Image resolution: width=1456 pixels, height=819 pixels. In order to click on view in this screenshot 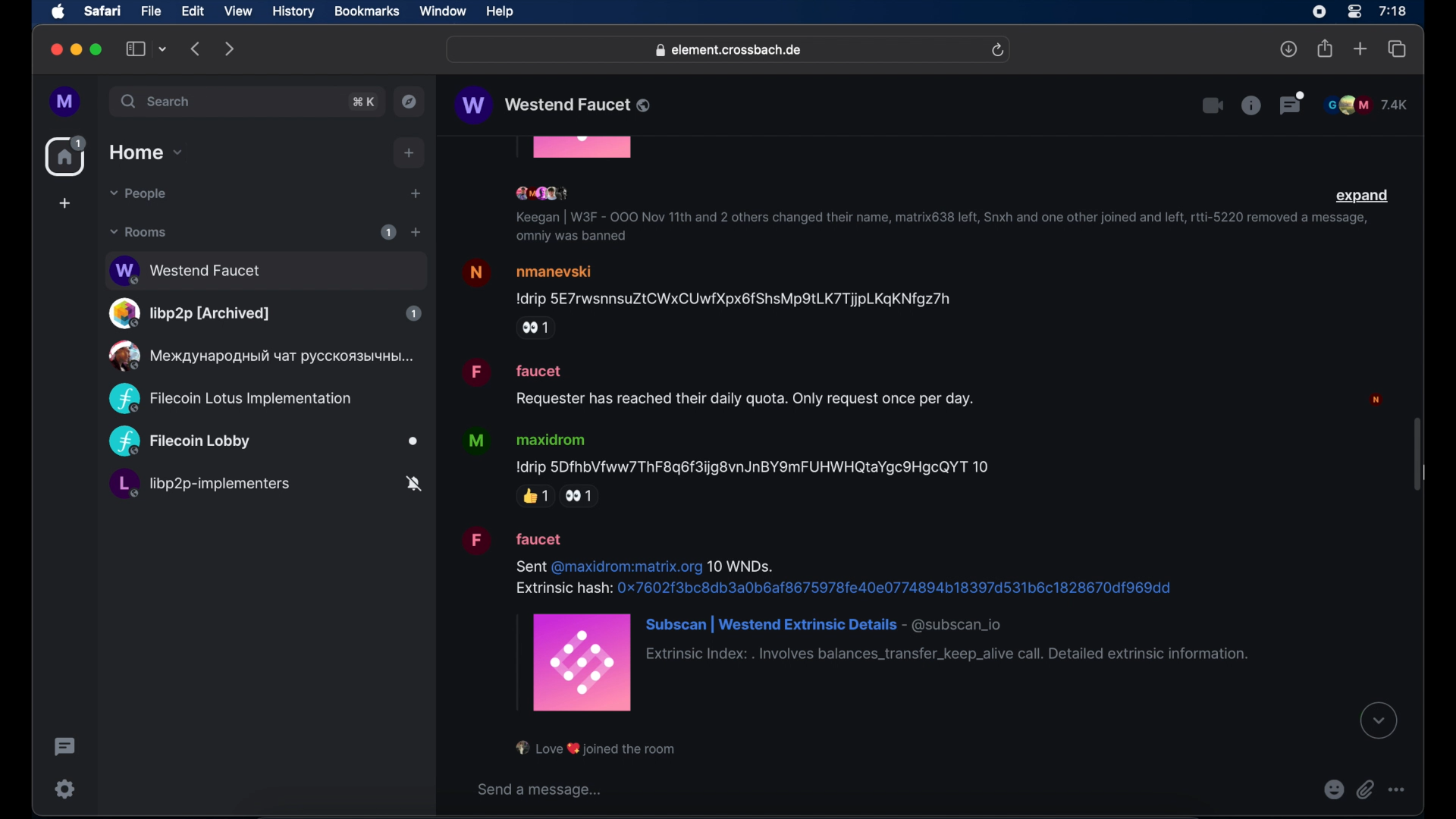, I will do `click(237, 11)`.